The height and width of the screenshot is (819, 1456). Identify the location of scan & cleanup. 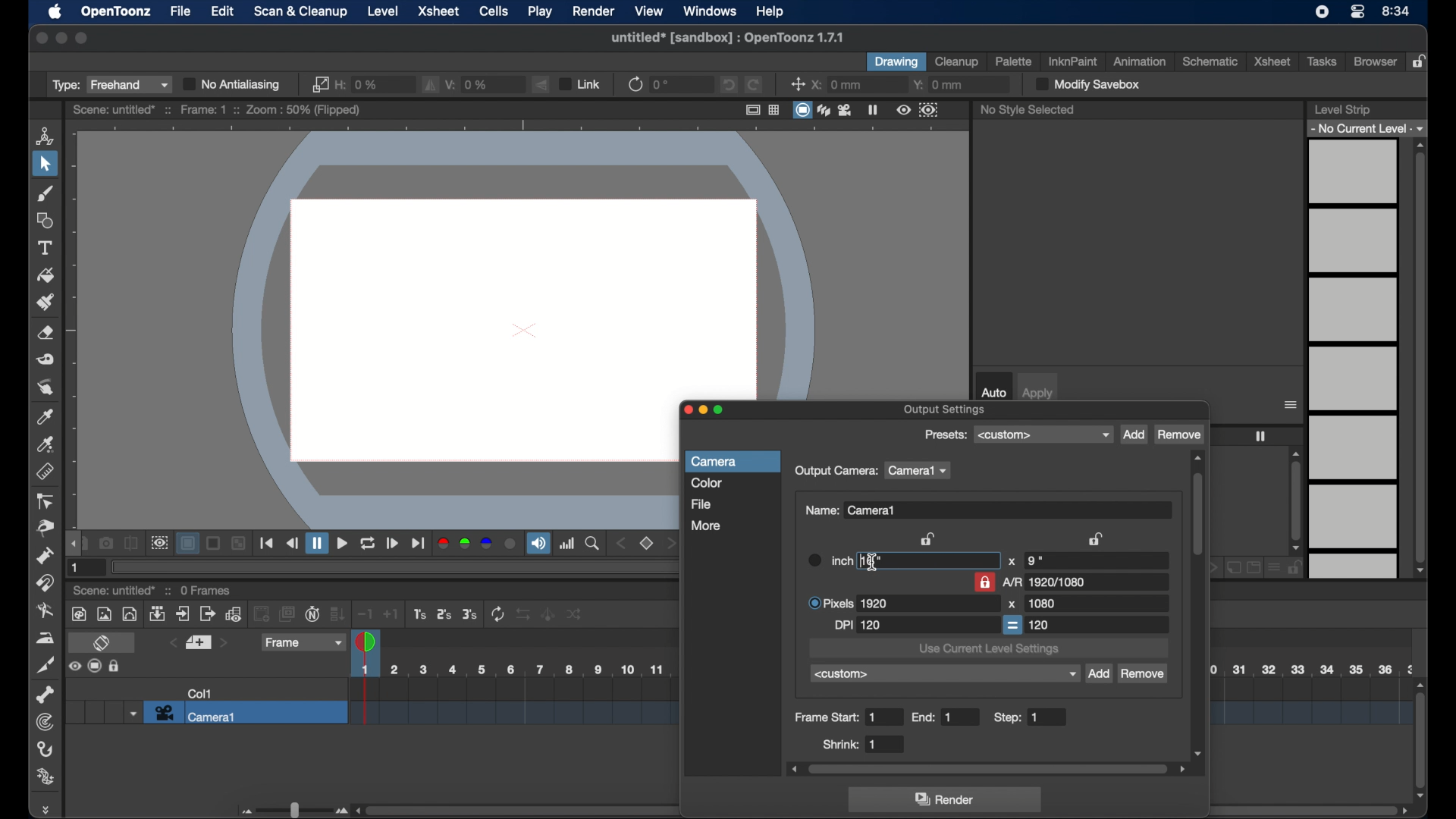
(300, 12).